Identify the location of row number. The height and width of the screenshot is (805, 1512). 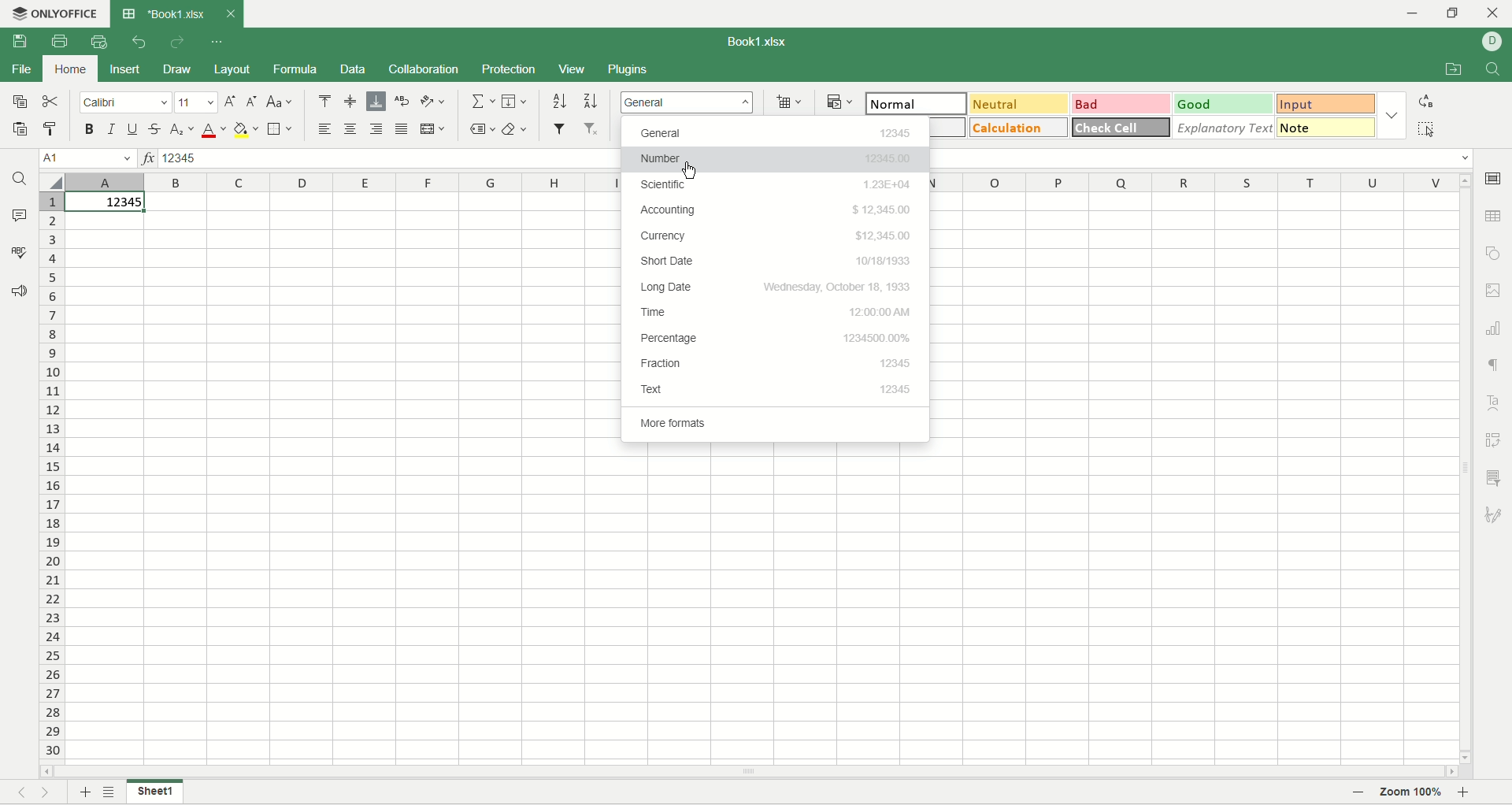
(50, 476).